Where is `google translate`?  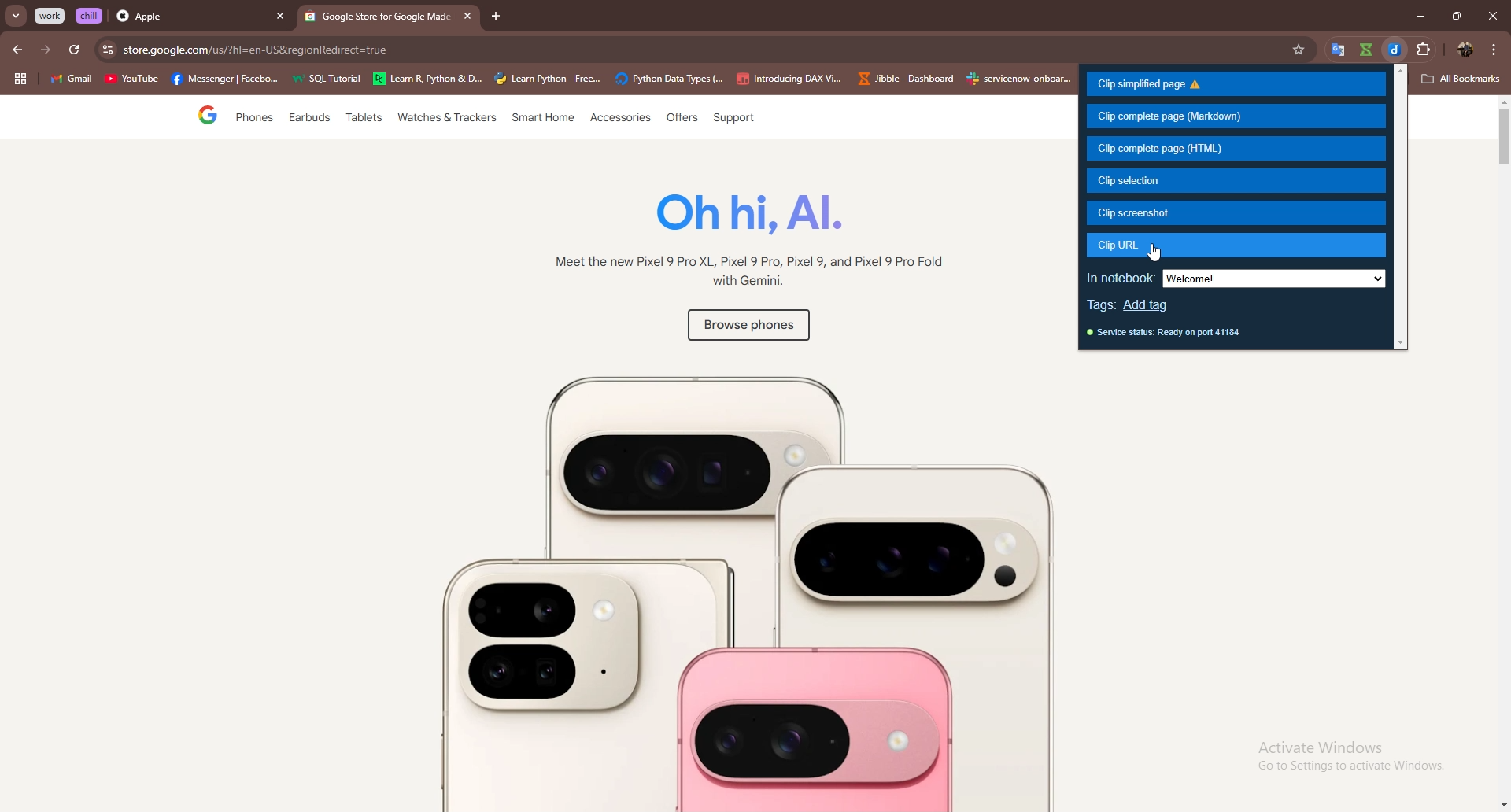 google translate is located at coordinates (1365, 50).